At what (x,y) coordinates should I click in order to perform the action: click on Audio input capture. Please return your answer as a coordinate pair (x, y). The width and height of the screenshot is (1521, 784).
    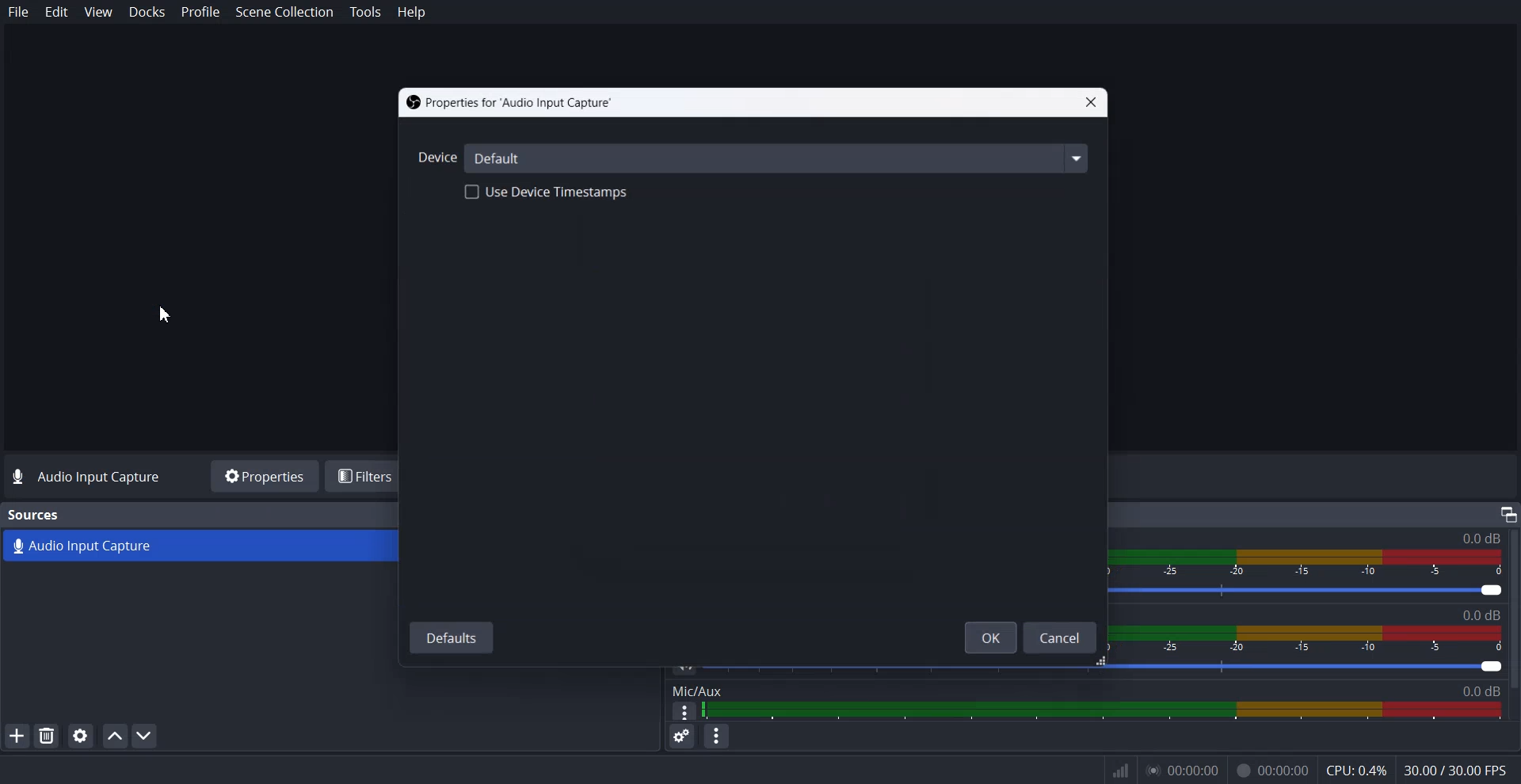
    Looking at the image, I should click on (94, 476).